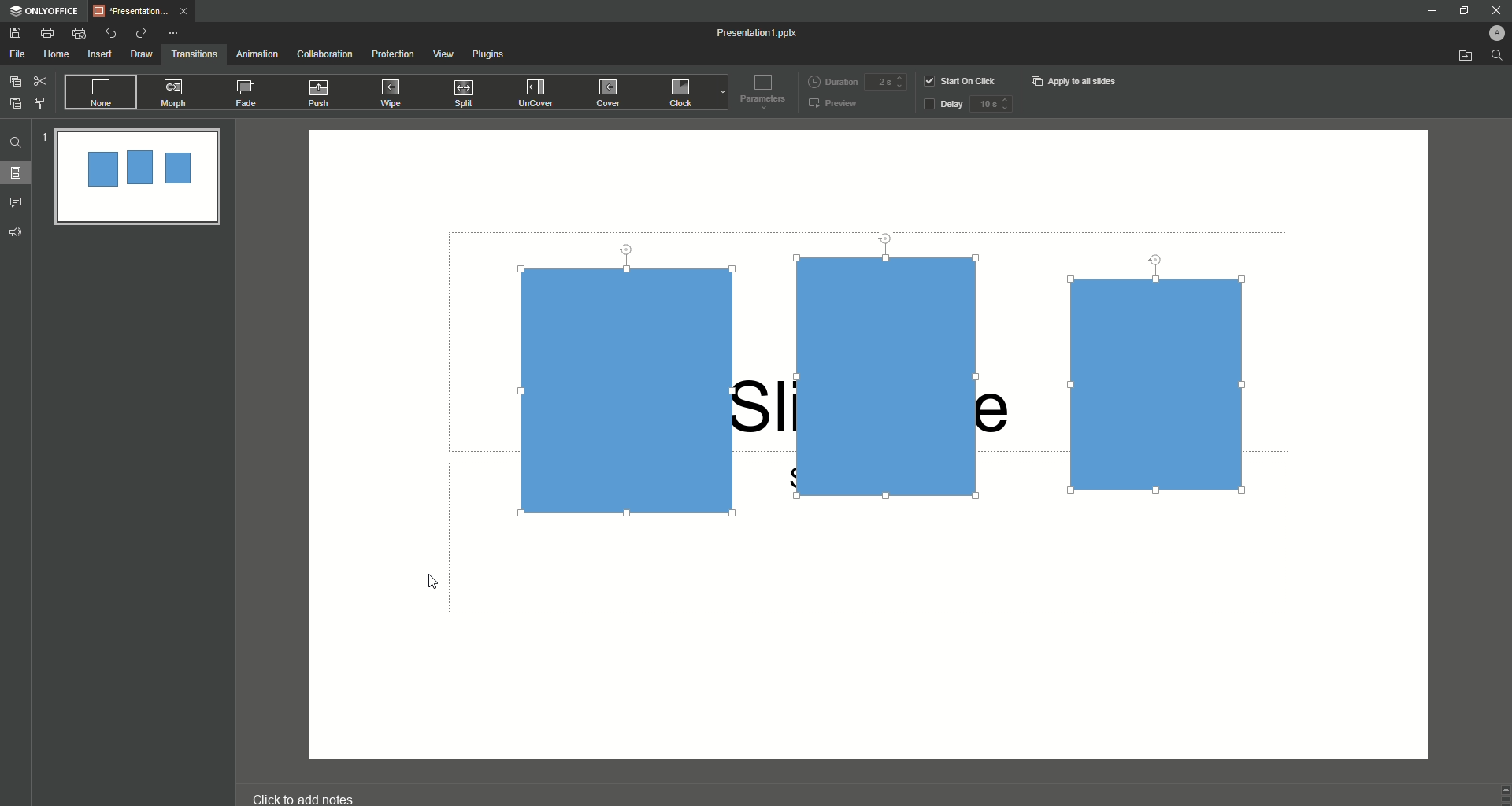  What do you see at coordinates (16, 142) in the screenshot?
I see `Find` at bounding box center [16, 142].